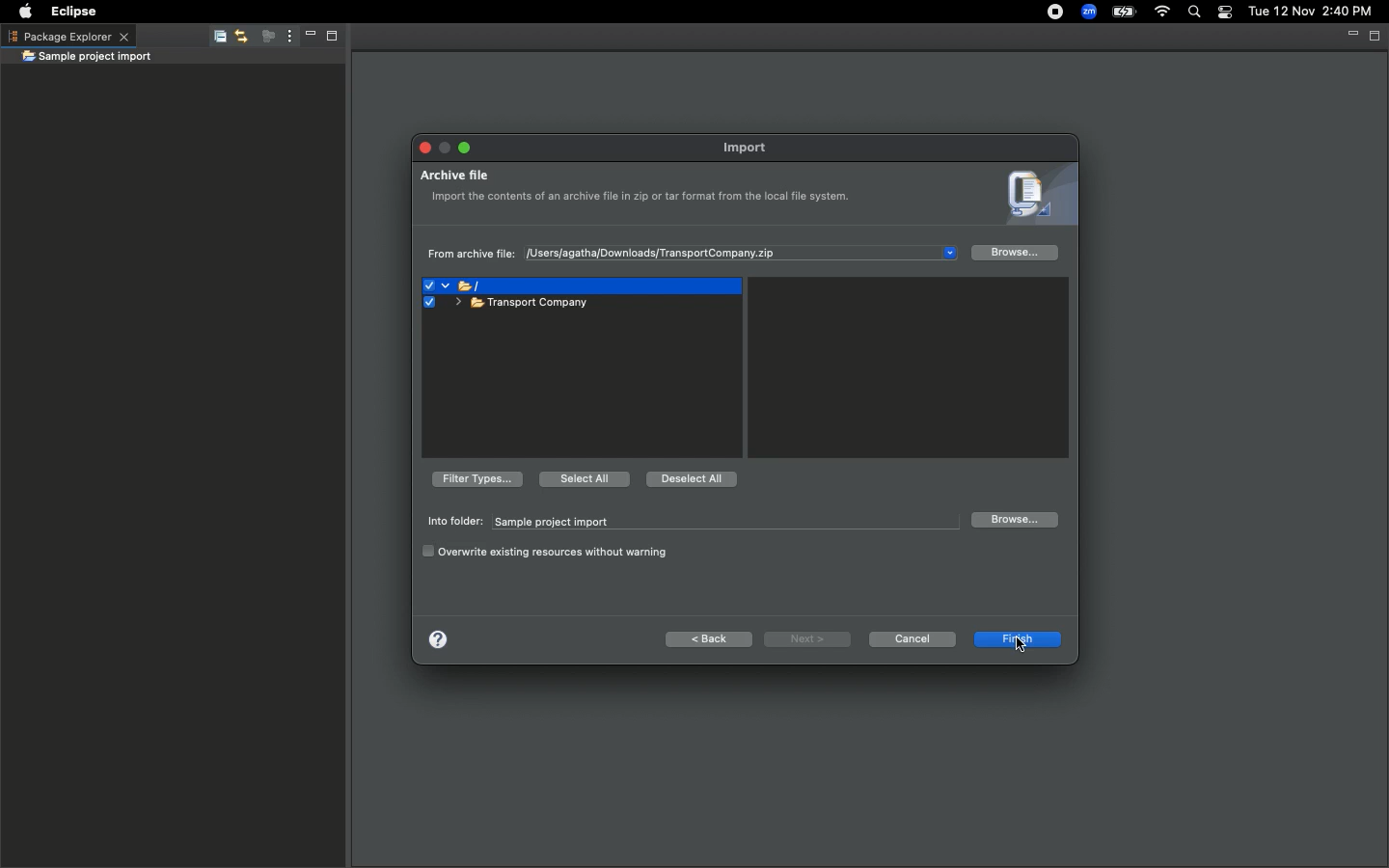  I want to click on View menu, so click(947, 250).